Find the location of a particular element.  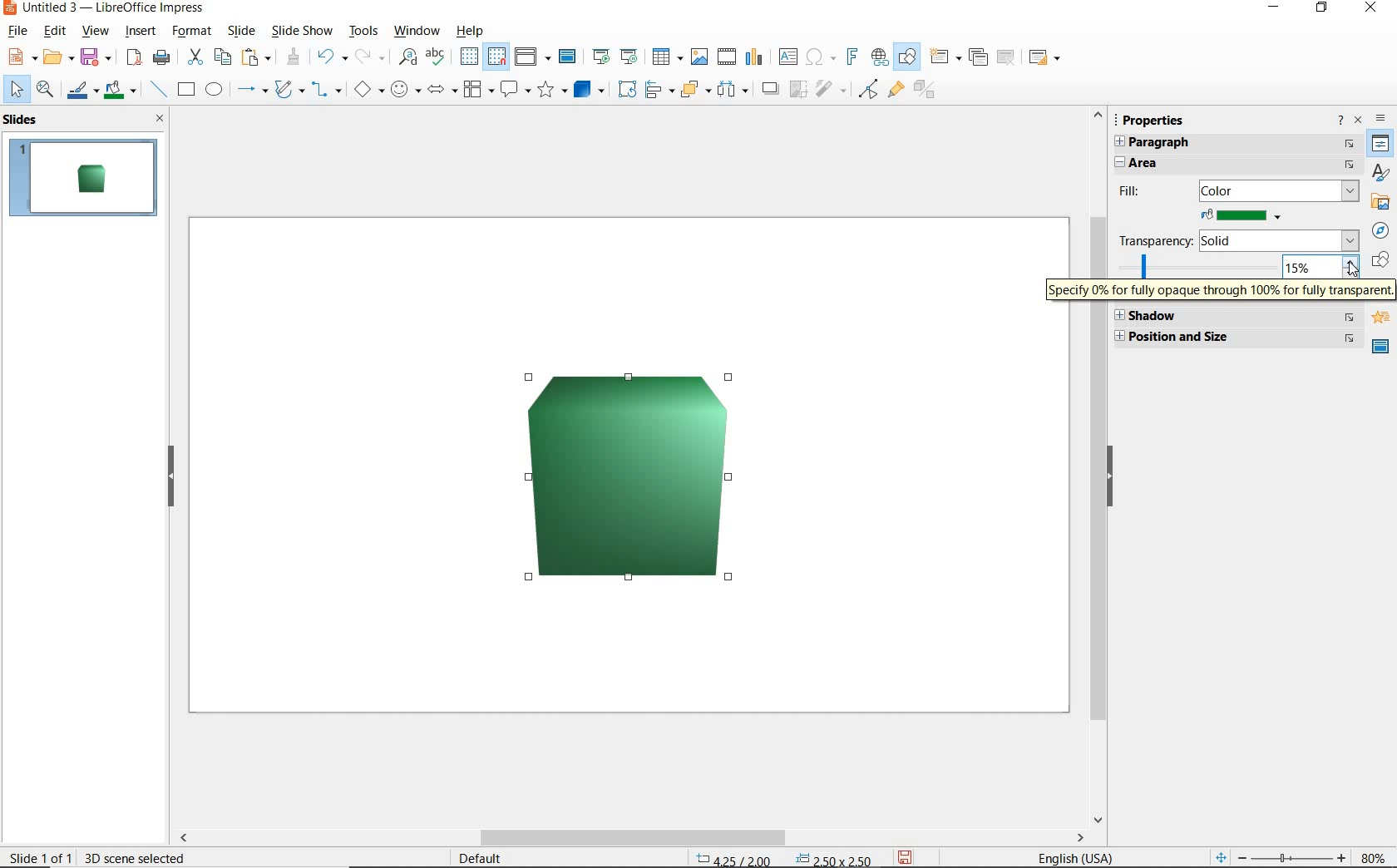

ANIMATION is located at coordinates (1381, 320).